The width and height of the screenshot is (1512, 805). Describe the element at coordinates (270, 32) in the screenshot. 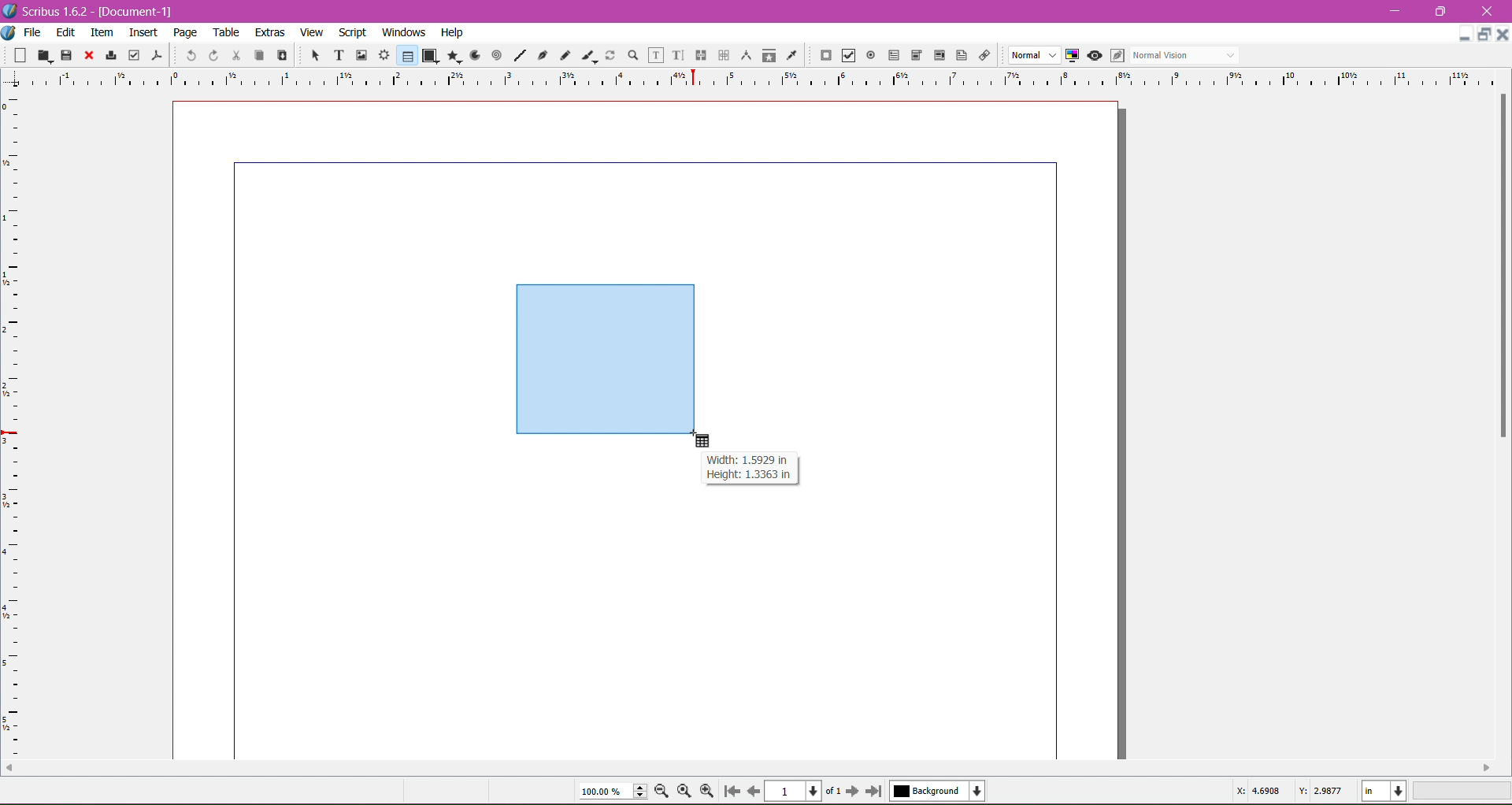

I see `Extras` at that location.